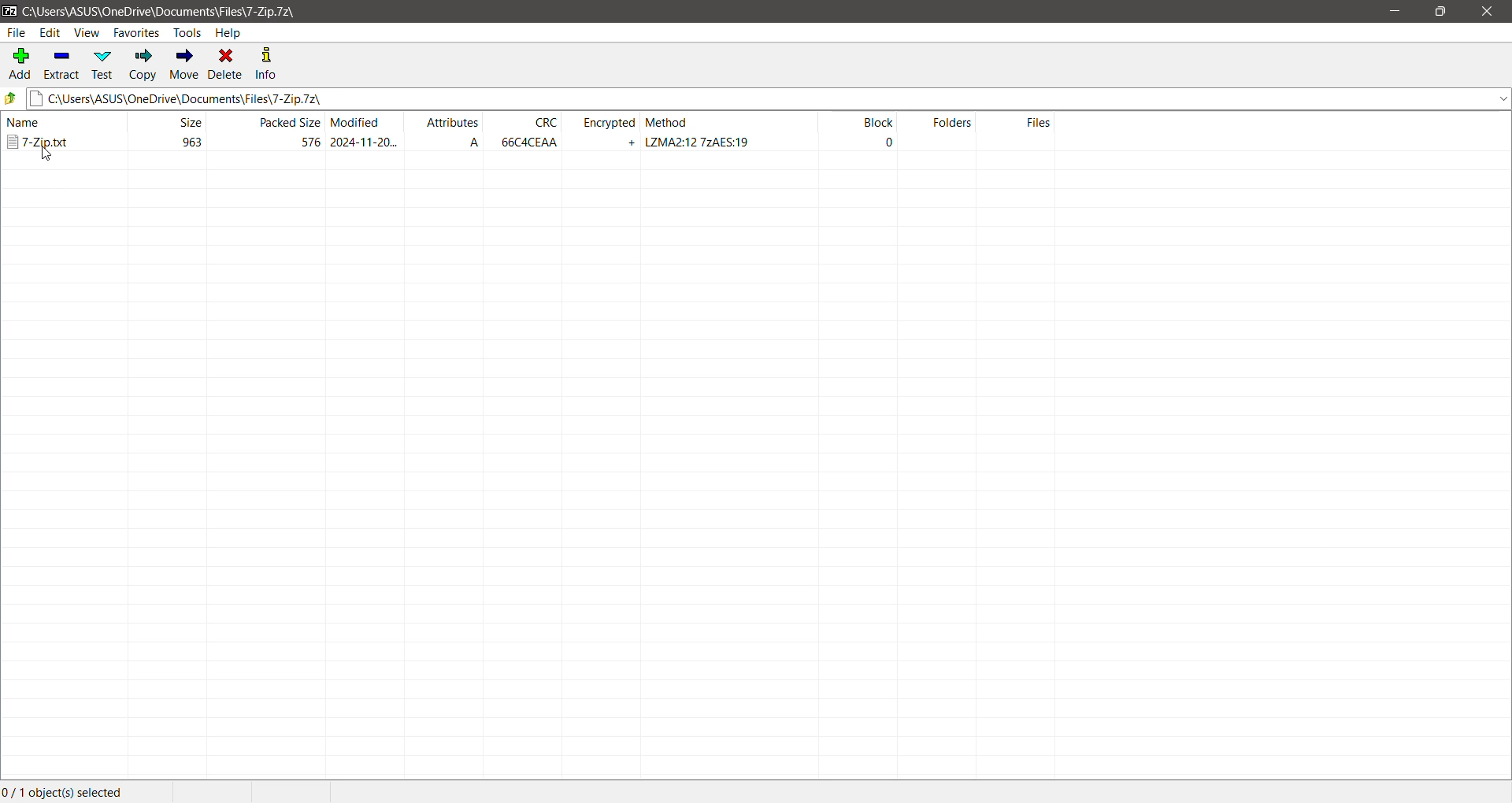  What do you see at coordinates (71, 793) in the screenshot?
I see `Current Selection` at bounding box center [71, 793].